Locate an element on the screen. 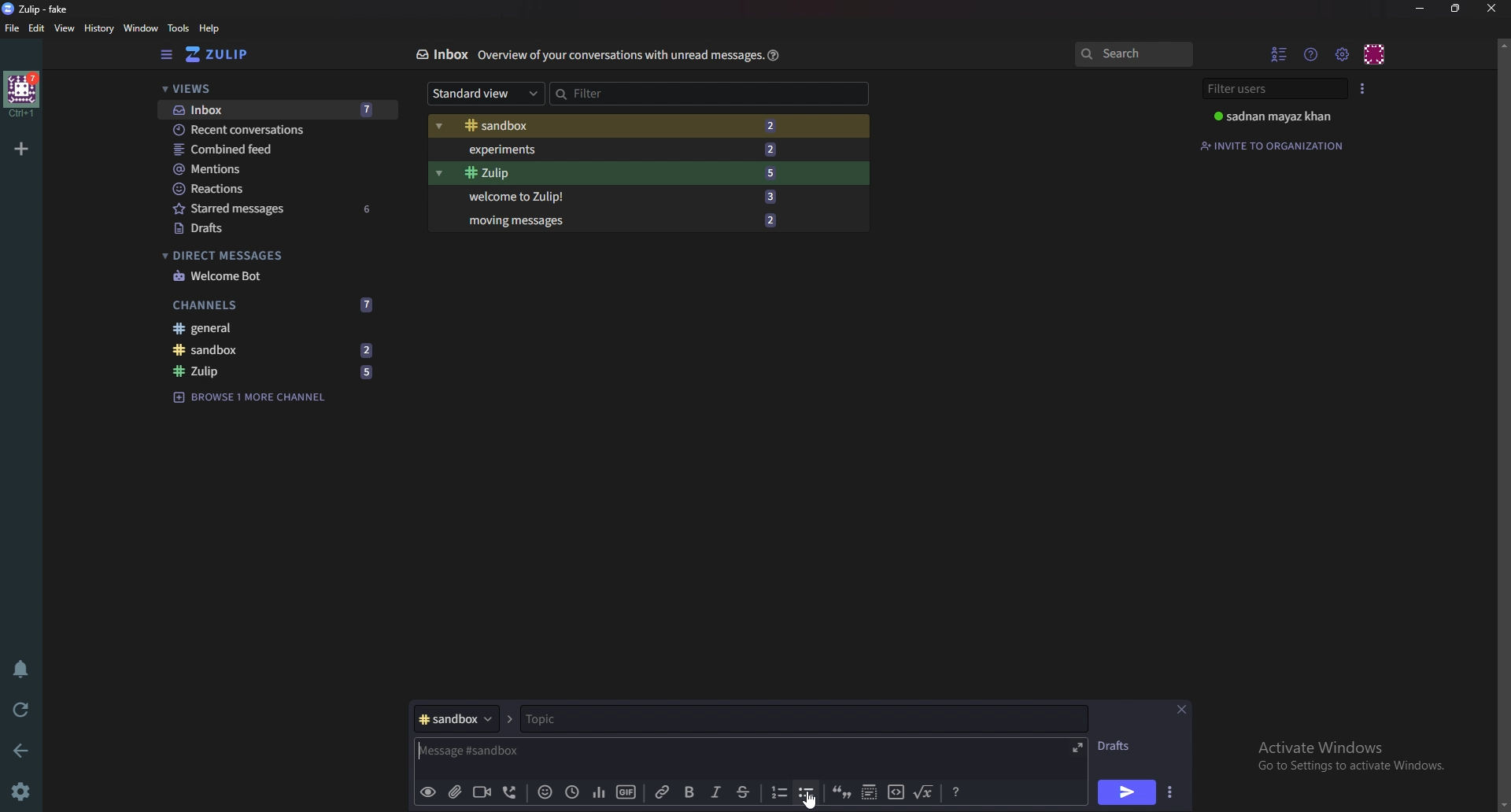  Channel is located at coordinates (456, 718).